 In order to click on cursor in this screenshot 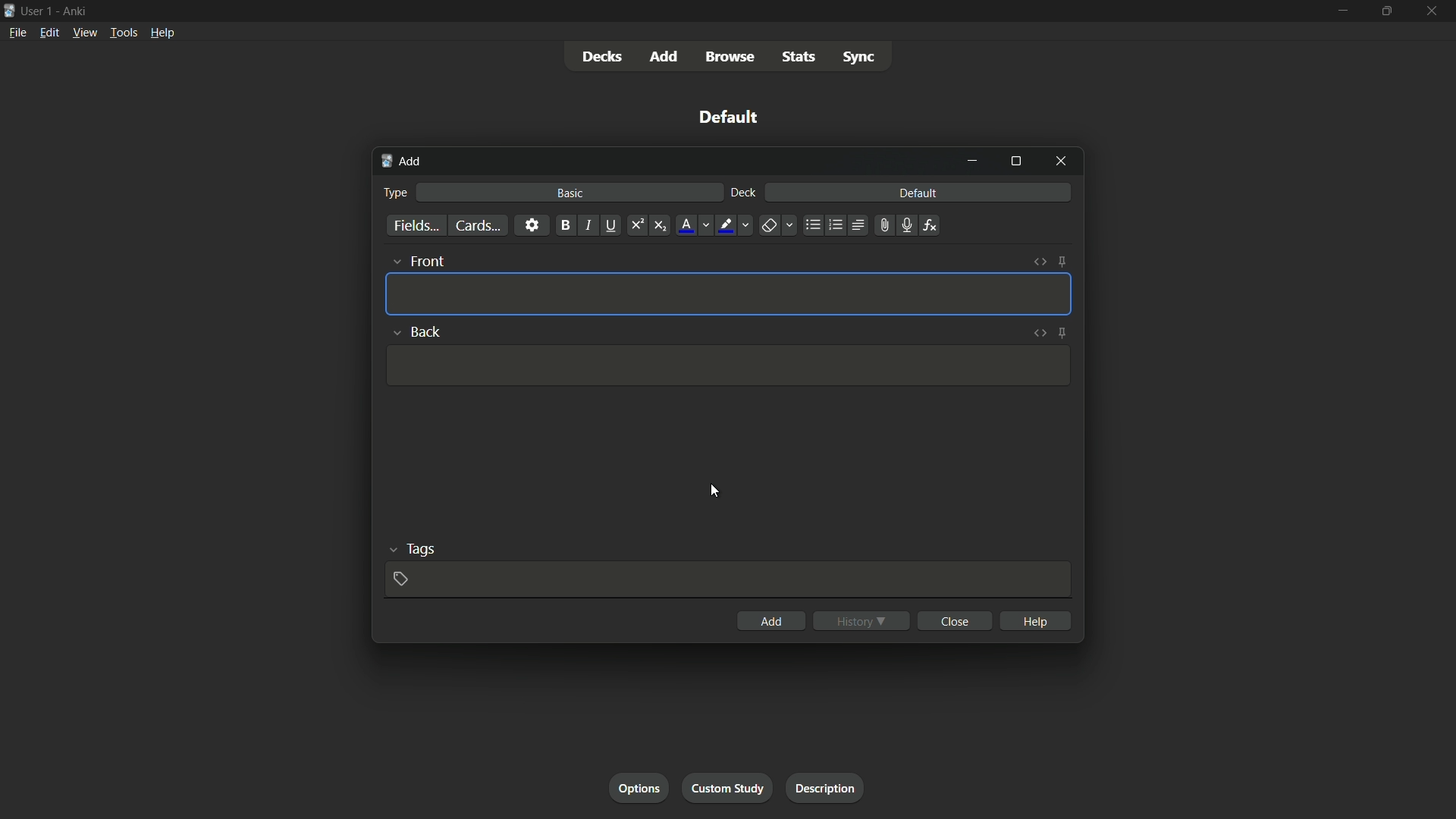, I will do `click(713, 491)`.